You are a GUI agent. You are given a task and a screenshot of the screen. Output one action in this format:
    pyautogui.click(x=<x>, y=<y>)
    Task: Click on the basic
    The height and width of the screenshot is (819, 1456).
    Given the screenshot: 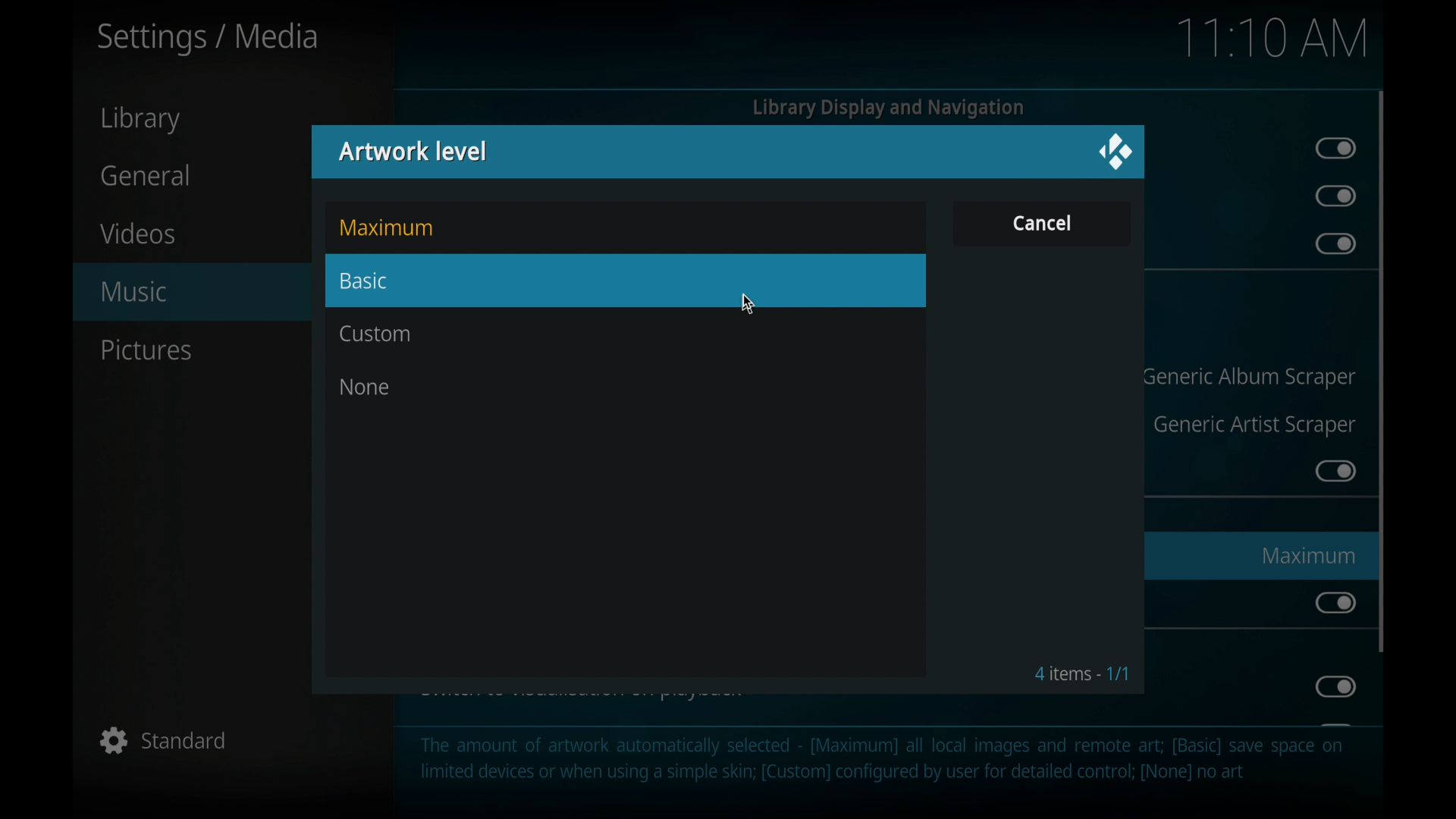 What is the action you would take?
    pyautogui.click(x=626, y=280)
    